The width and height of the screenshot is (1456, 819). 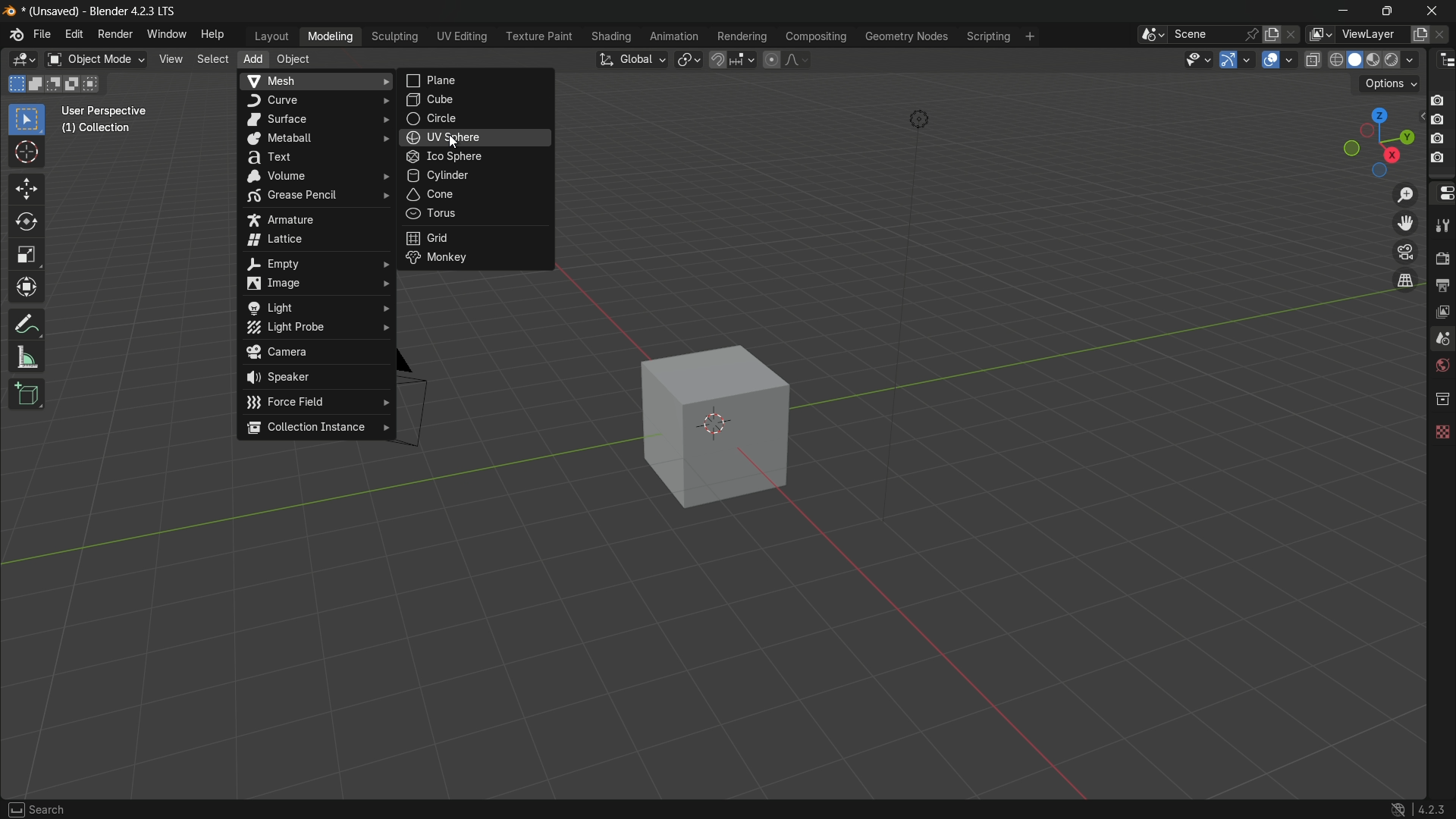 What do you see at coordinates (395, 36) in the screenshot?
I see `sculpting menu` at bounding box center [395, 36].